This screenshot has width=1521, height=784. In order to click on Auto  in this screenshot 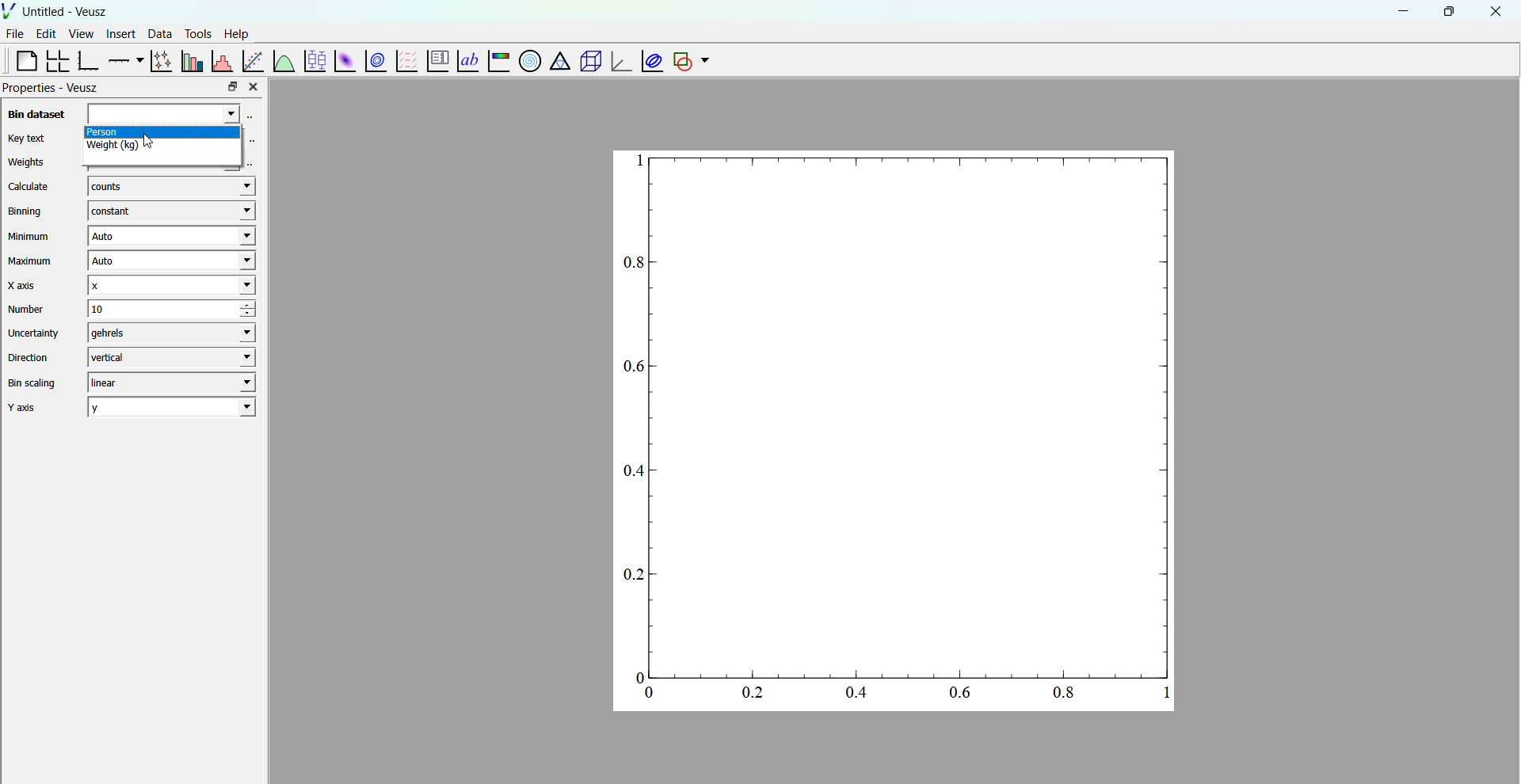, I will do `click(170, 237)`.